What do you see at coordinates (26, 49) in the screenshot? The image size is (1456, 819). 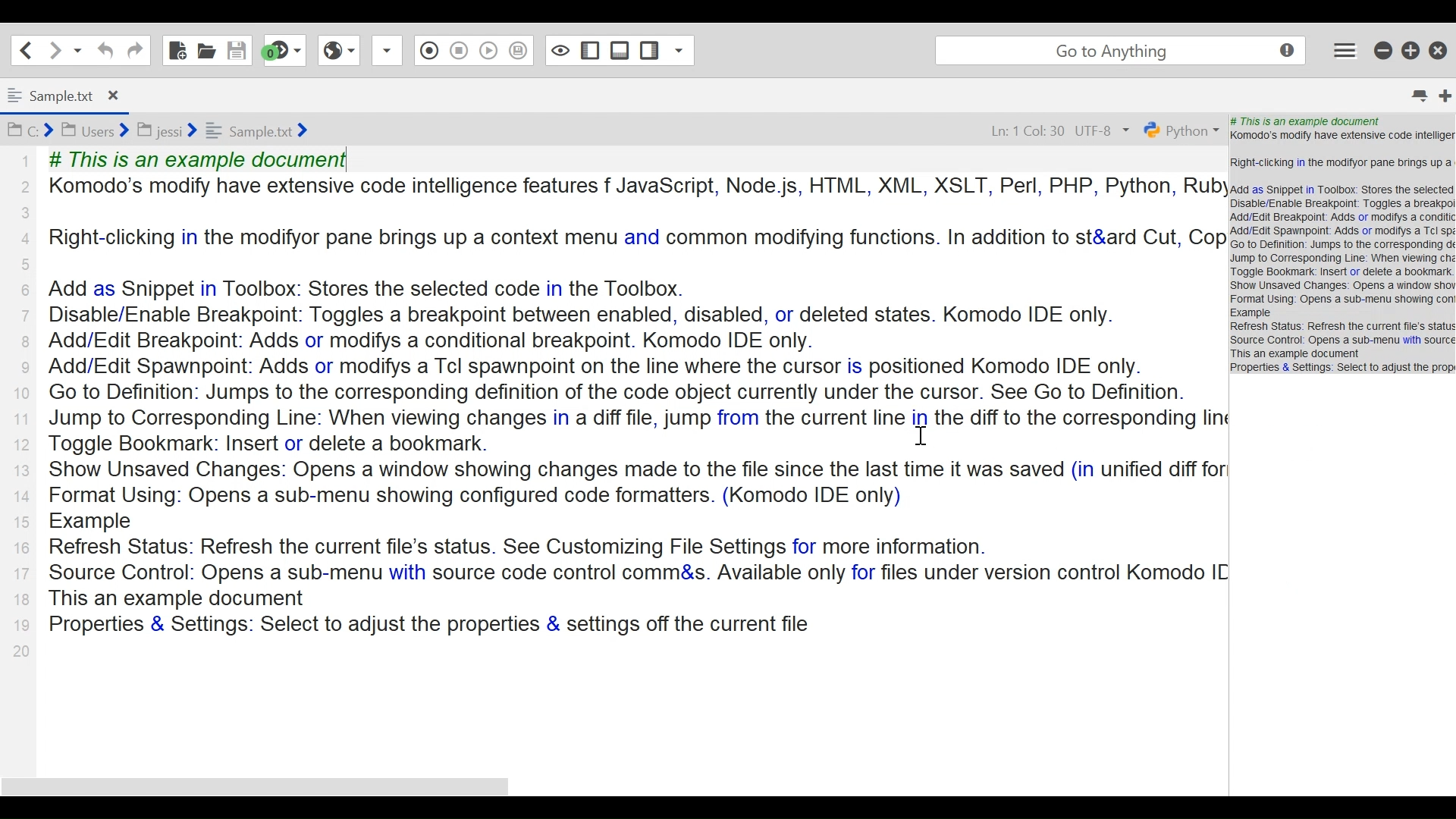 I see `Go back one location` at bounding box center [26, 49].